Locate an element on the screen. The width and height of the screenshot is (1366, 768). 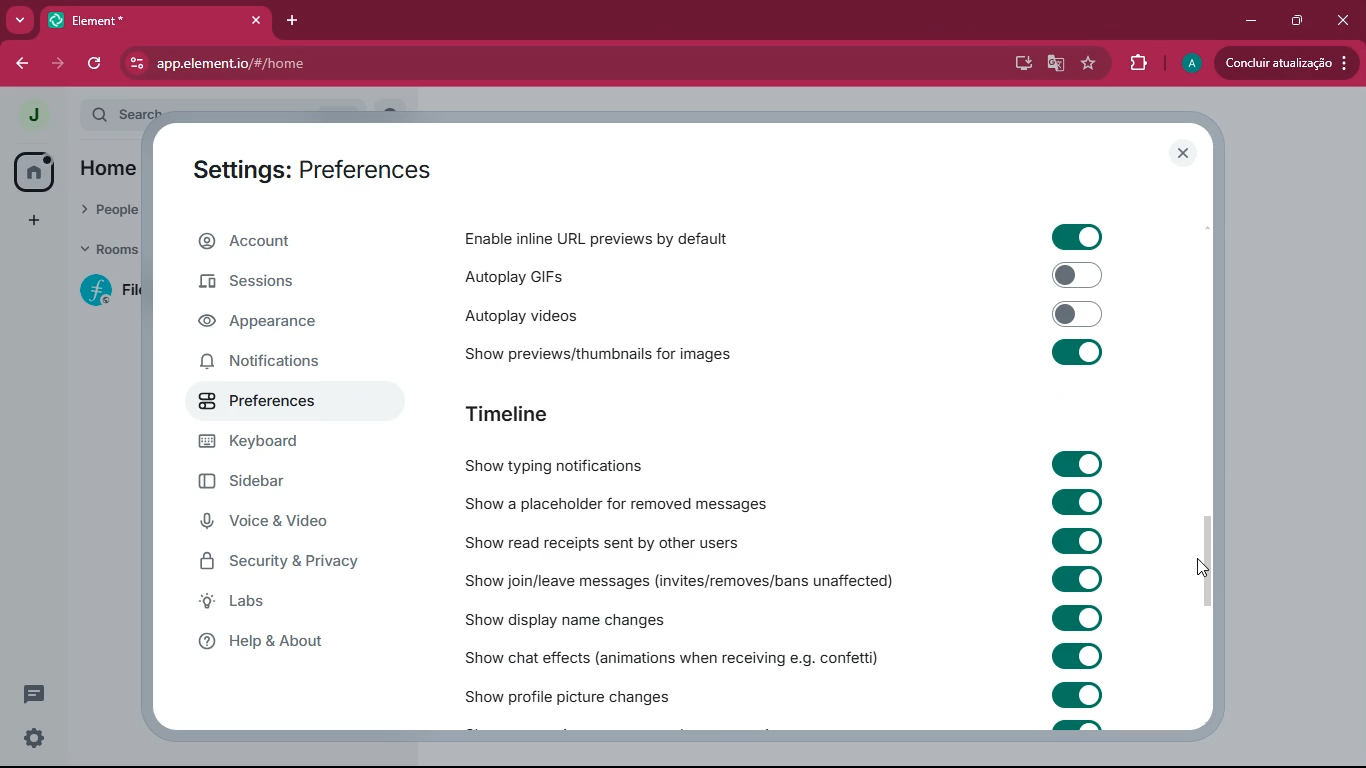
labs is located at coordinates (297, 602).